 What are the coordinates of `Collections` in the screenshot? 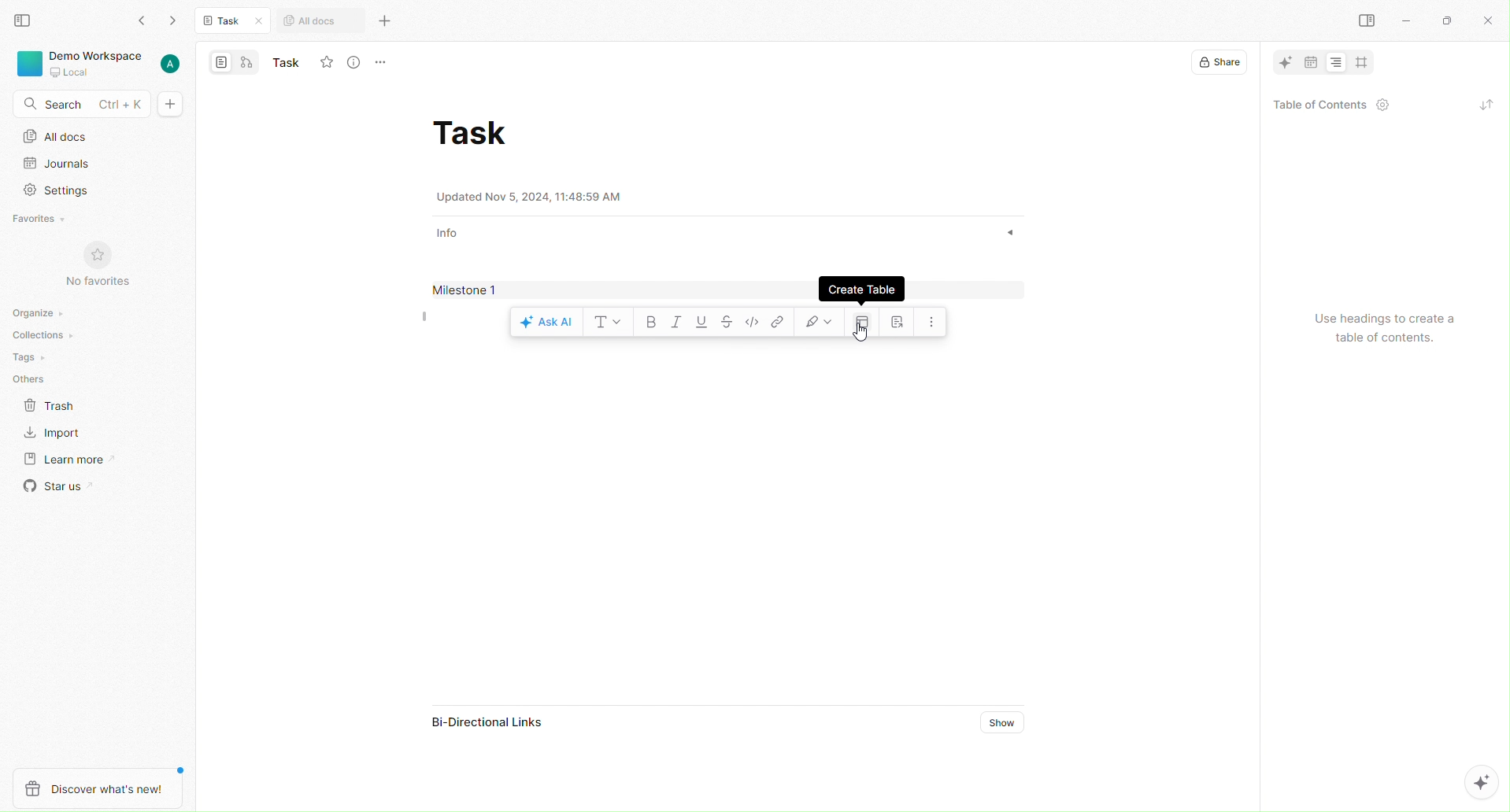 It's located at (40, 334).